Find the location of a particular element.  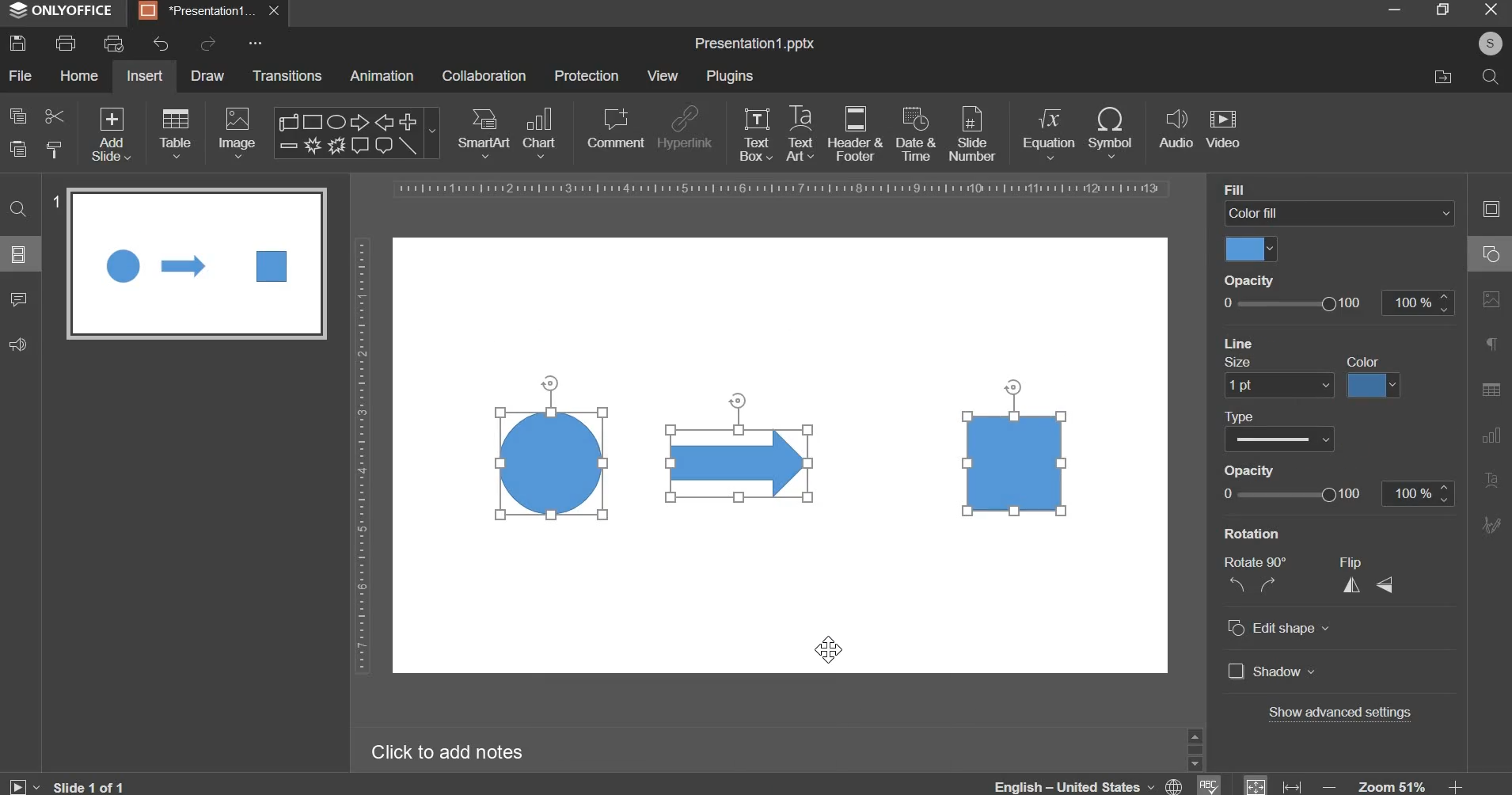

close is located at coordinates (277, 13).